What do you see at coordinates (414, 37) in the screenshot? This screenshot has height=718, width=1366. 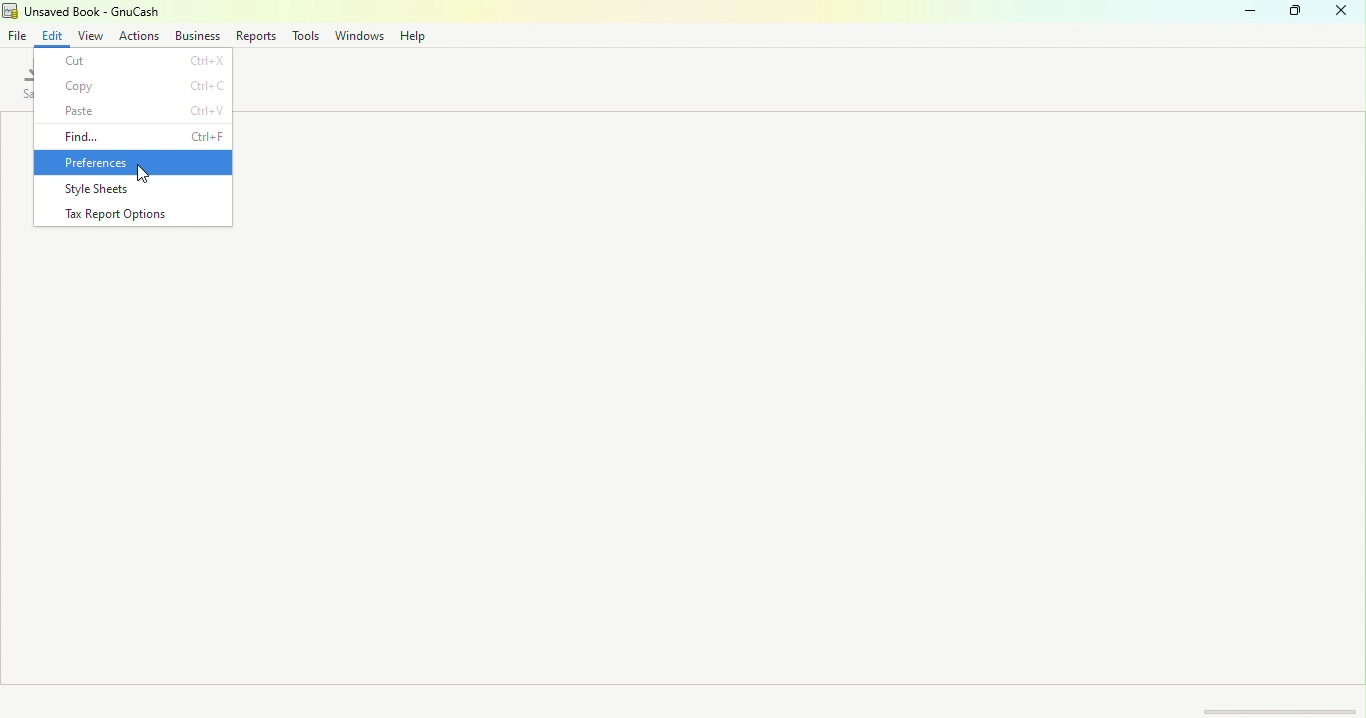 I see `Help` at bounding box center [414, 37].